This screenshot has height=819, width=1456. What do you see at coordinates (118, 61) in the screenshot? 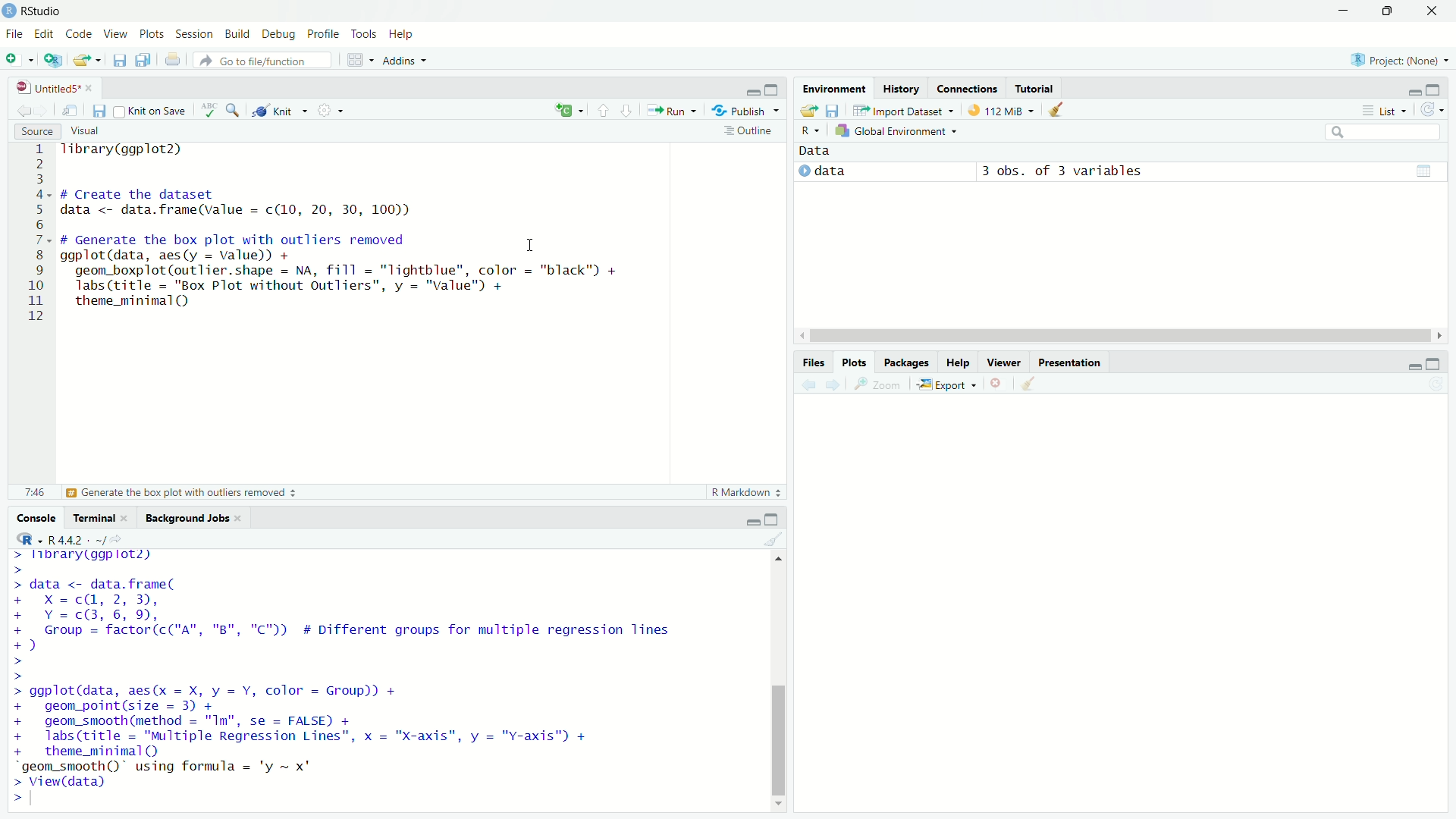
I see `files` at bounding box center [118, 61].